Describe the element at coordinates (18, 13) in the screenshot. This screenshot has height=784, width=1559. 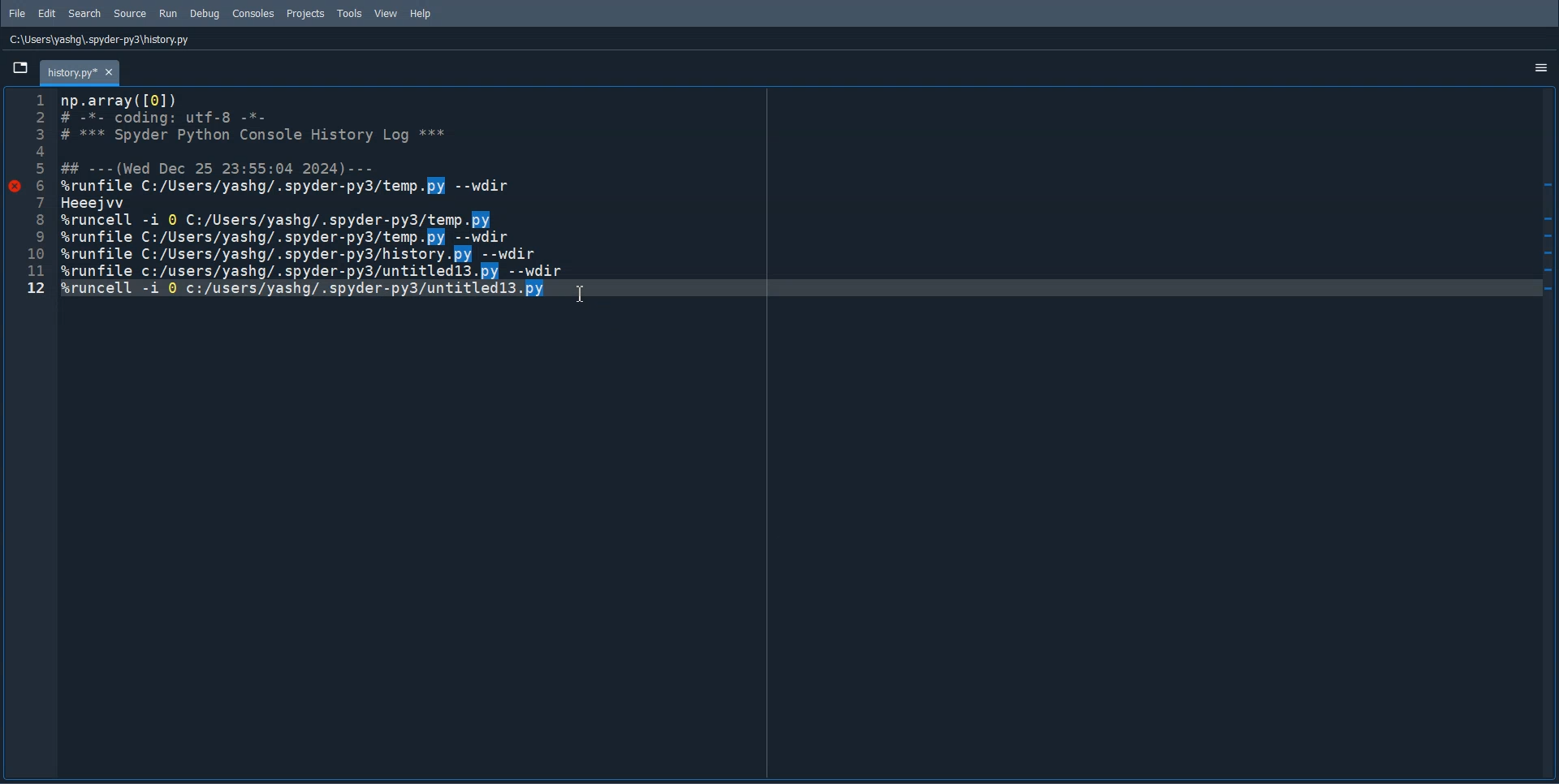
I see `File` at that location.